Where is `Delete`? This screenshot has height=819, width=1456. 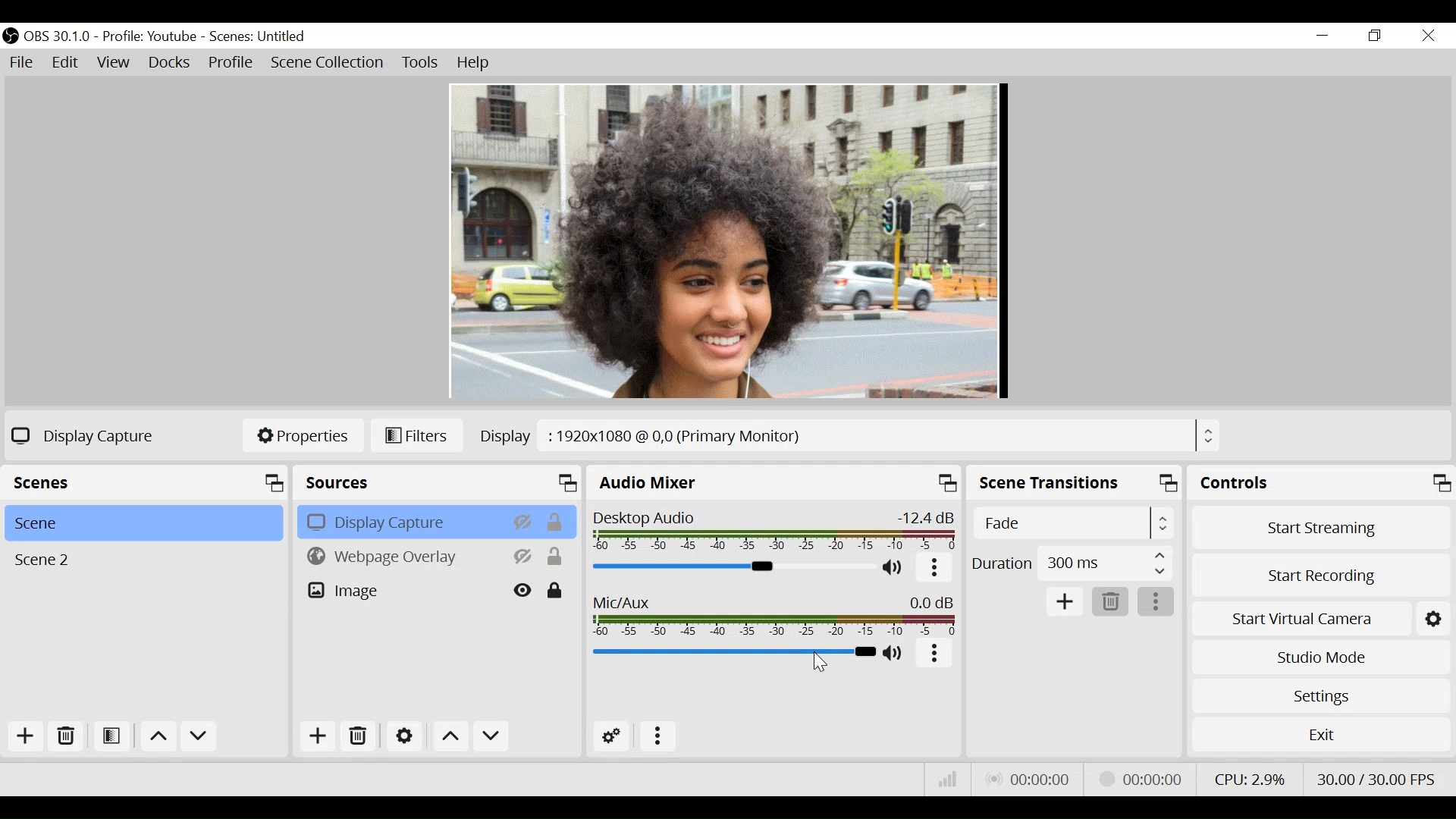
Delete is located at coordinates (360, 736).